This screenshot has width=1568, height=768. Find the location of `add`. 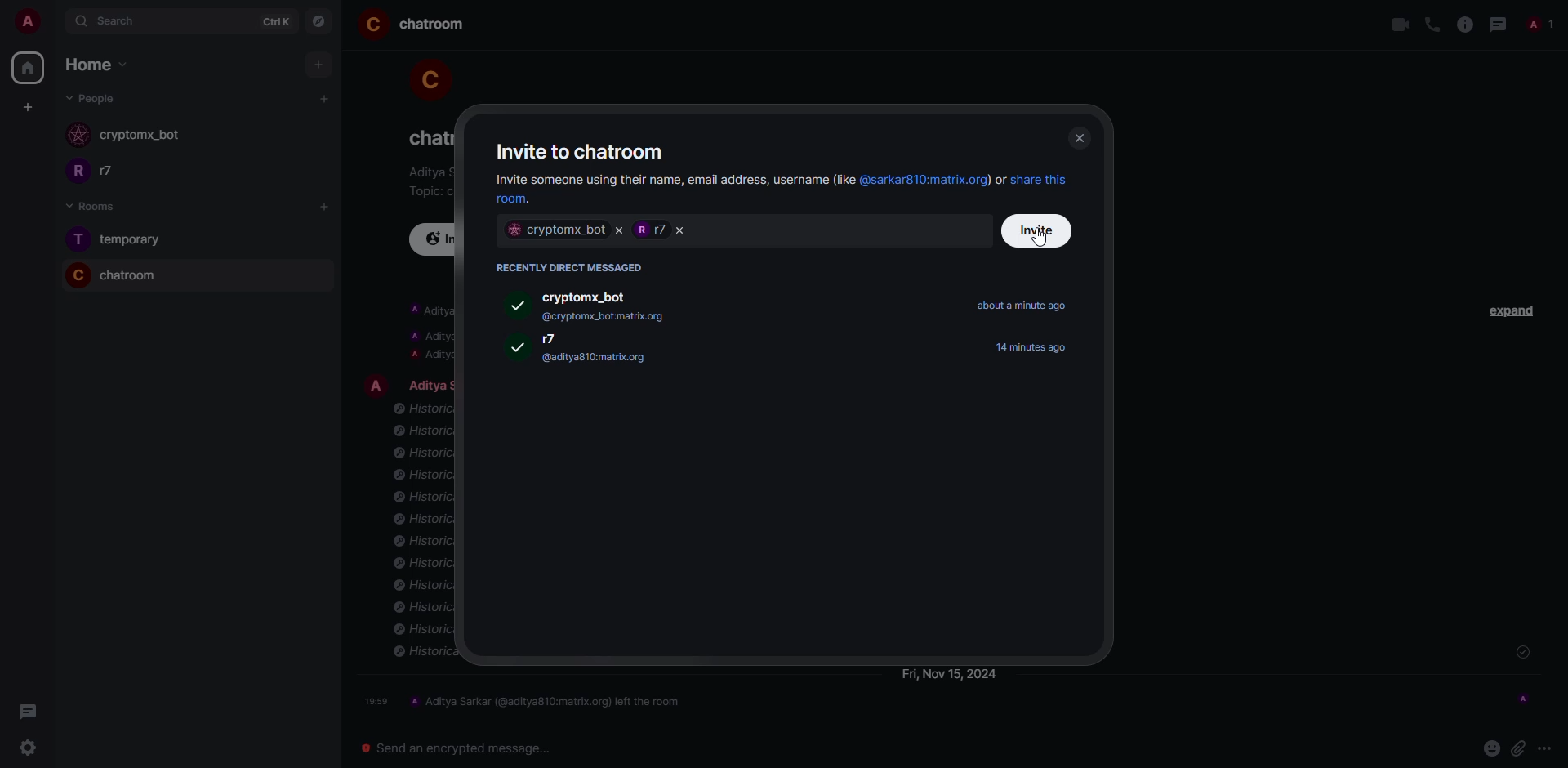

add is located at coordinates (318, 65).